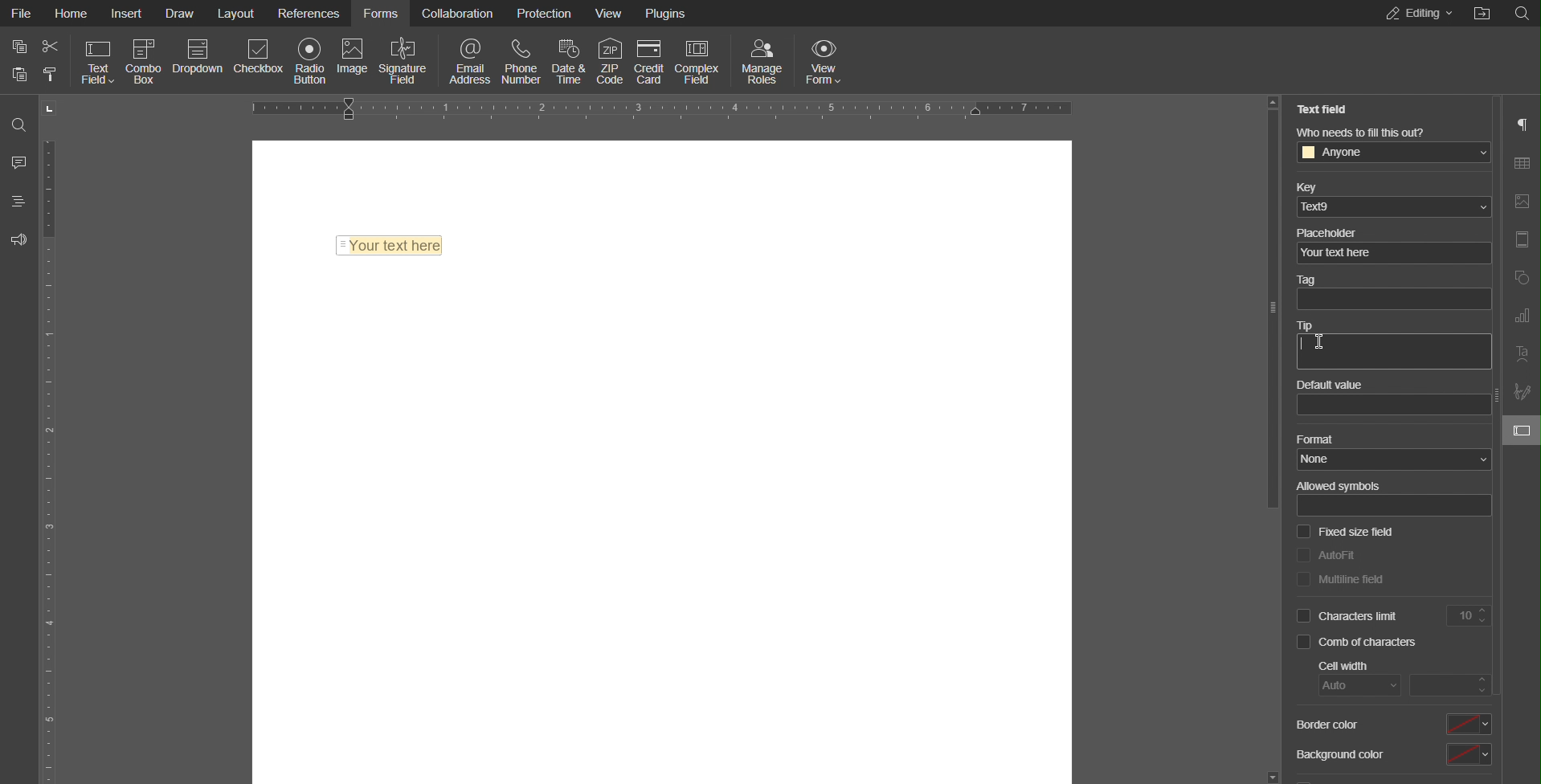  I want to click on clear formatting, so click(51, 73).